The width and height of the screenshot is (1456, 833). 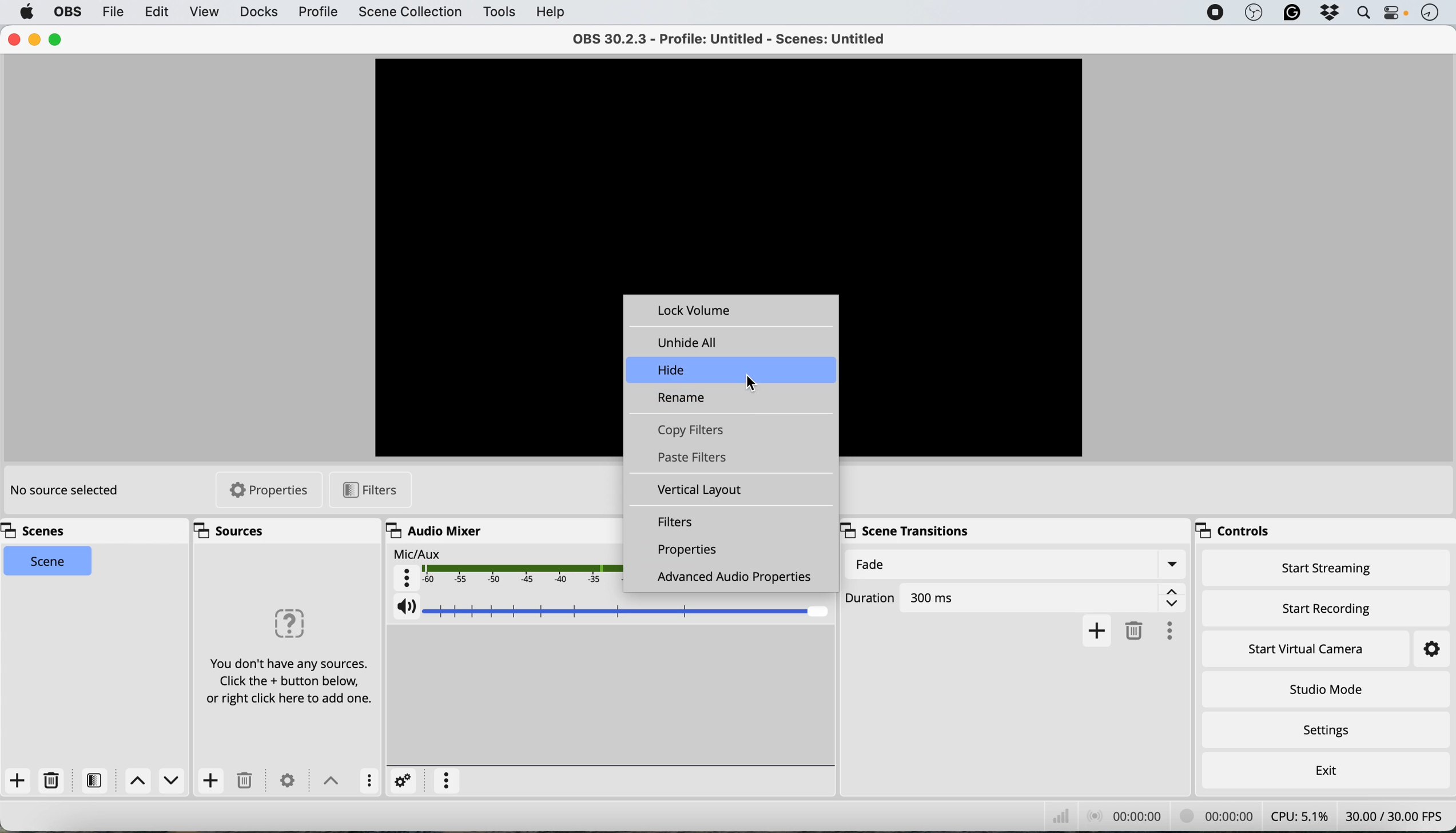 What do you see at coordinates (611, 611) in the screenshot?
I see `mic aux audio volume` at bounding box center [611, 611].